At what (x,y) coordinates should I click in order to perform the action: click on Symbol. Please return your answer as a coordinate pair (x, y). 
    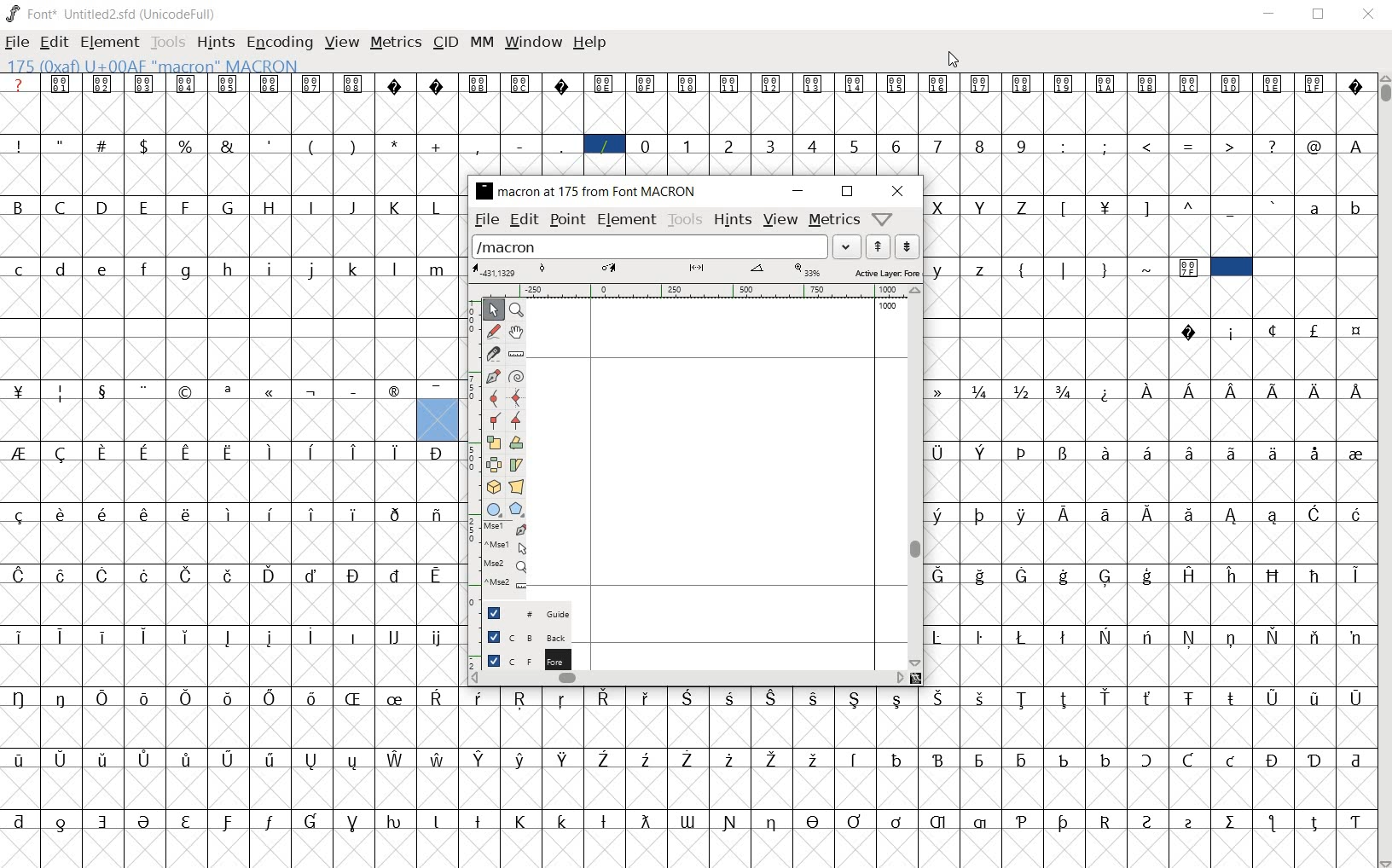
    Looking at the image, I should click on (1231, 637).